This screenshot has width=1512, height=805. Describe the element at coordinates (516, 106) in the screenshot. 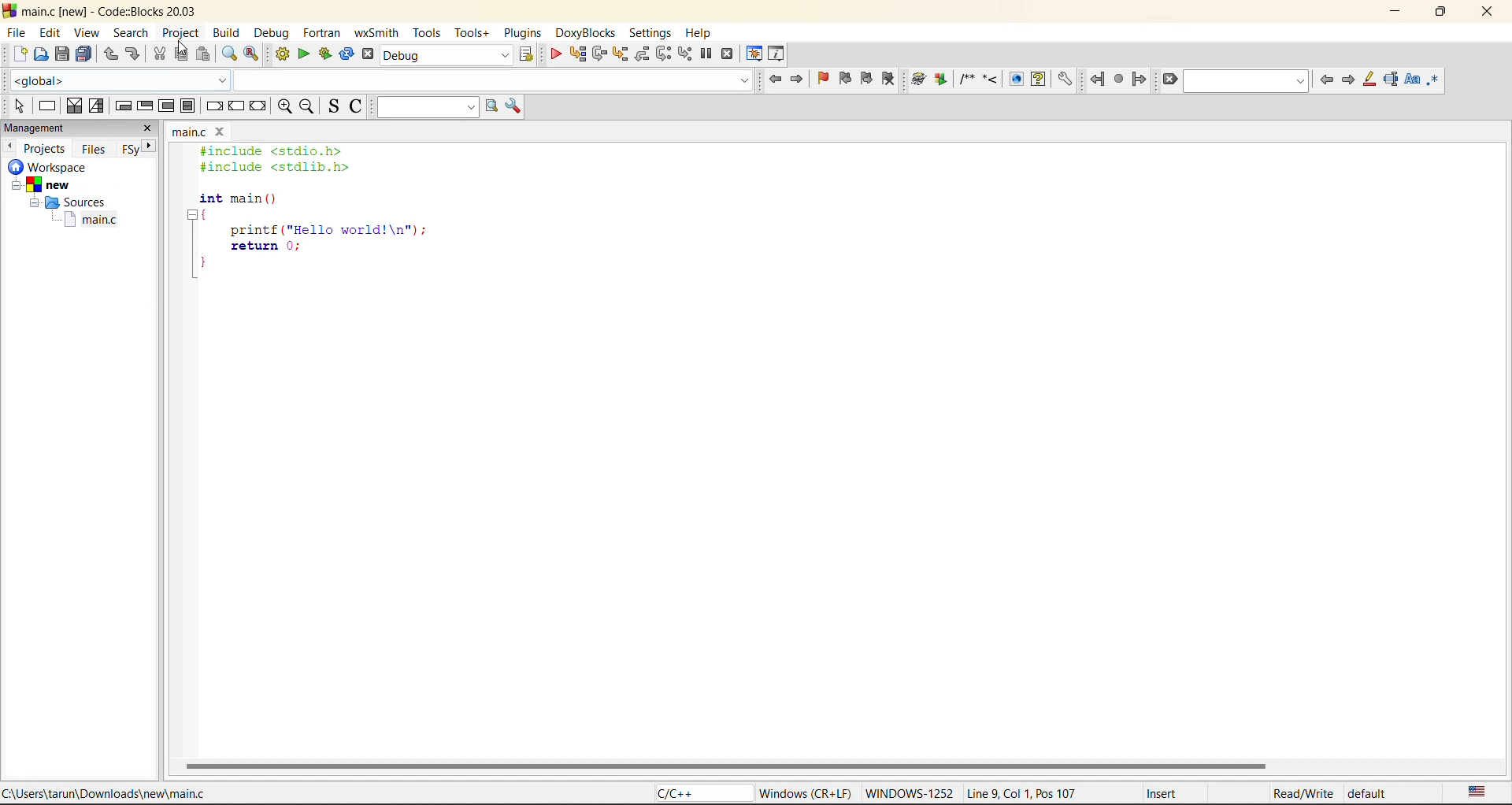

I see `show options window` at that location.